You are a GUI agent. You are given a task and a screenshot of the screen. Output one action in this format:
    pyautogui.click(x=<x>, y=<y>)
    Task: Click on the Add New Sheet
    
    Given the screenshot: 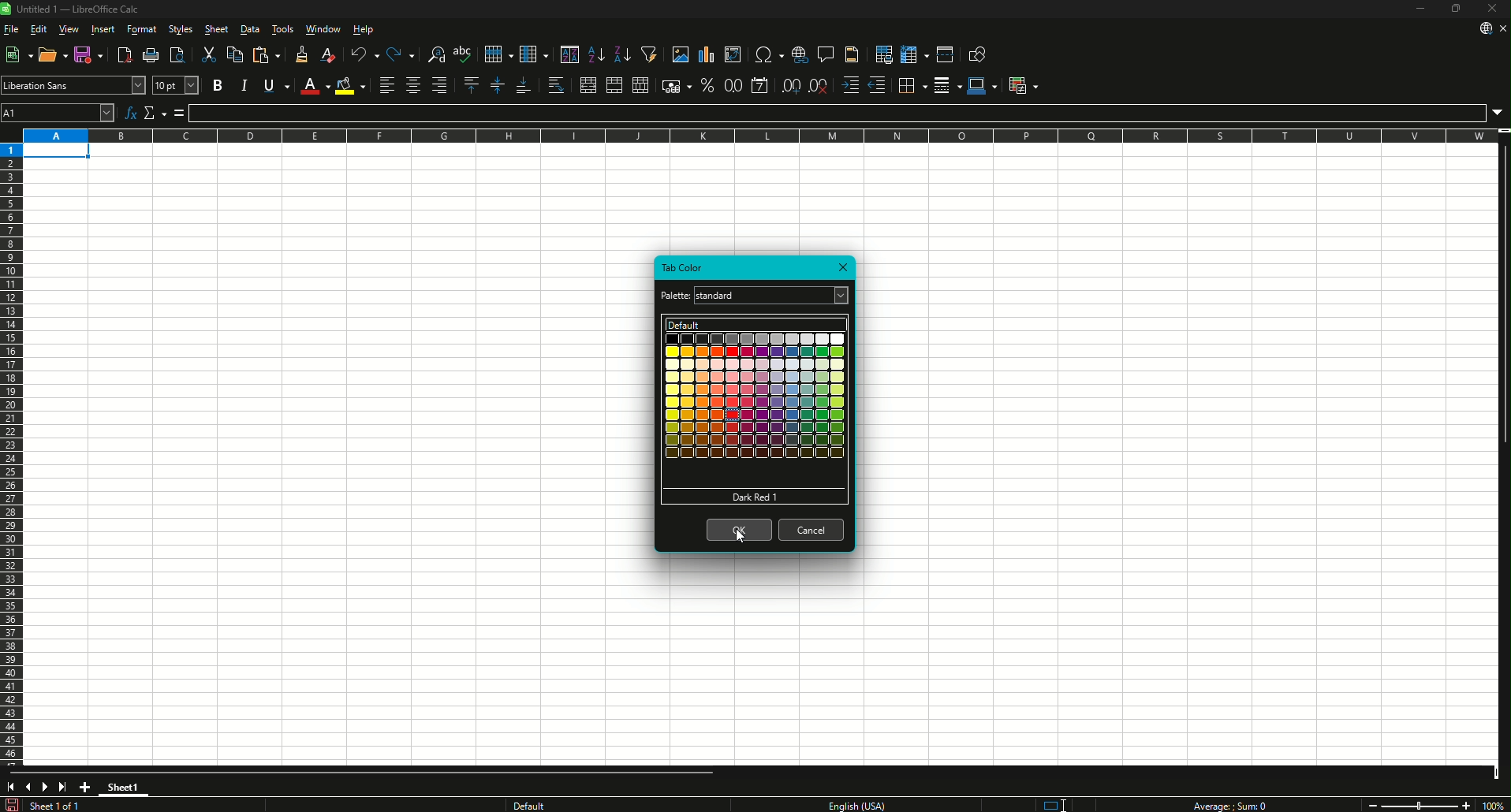 What is the action you would take?
    pyautogui.click(x=85, y=787)
    